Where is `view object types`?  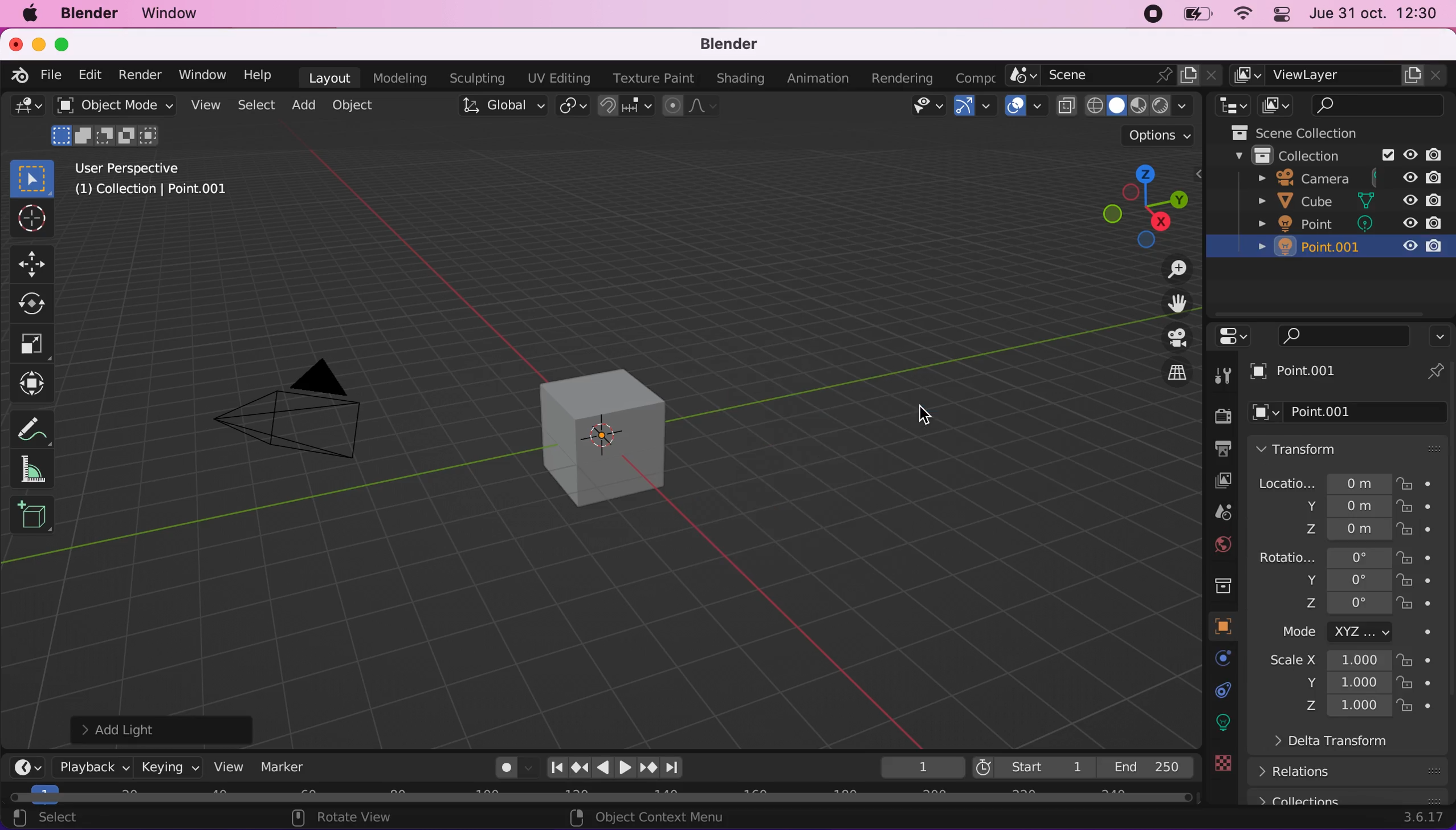 view object types is located at coordinates (927, 109).